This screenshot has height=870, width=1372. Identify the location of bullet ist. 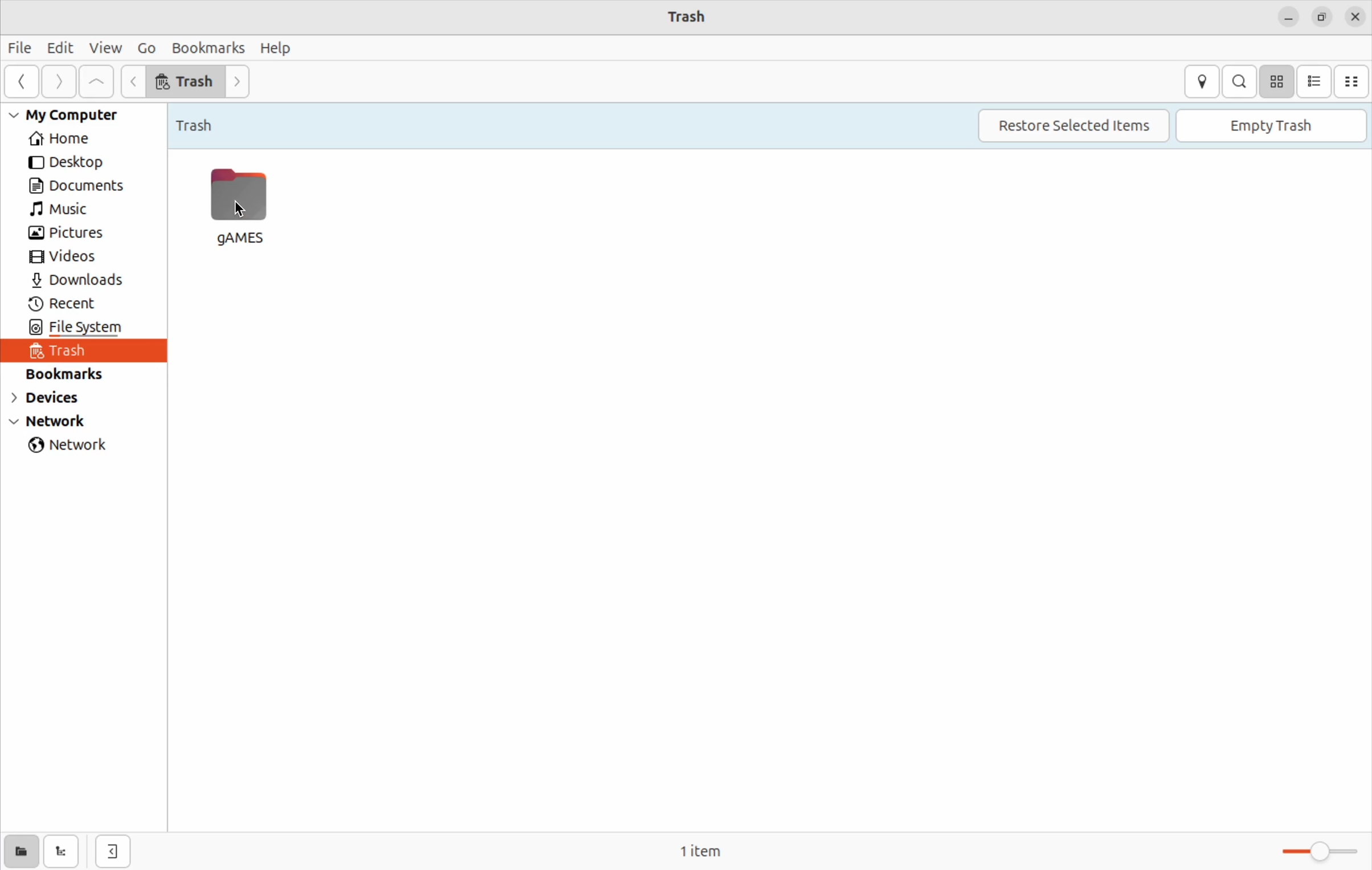
(1314, 81).